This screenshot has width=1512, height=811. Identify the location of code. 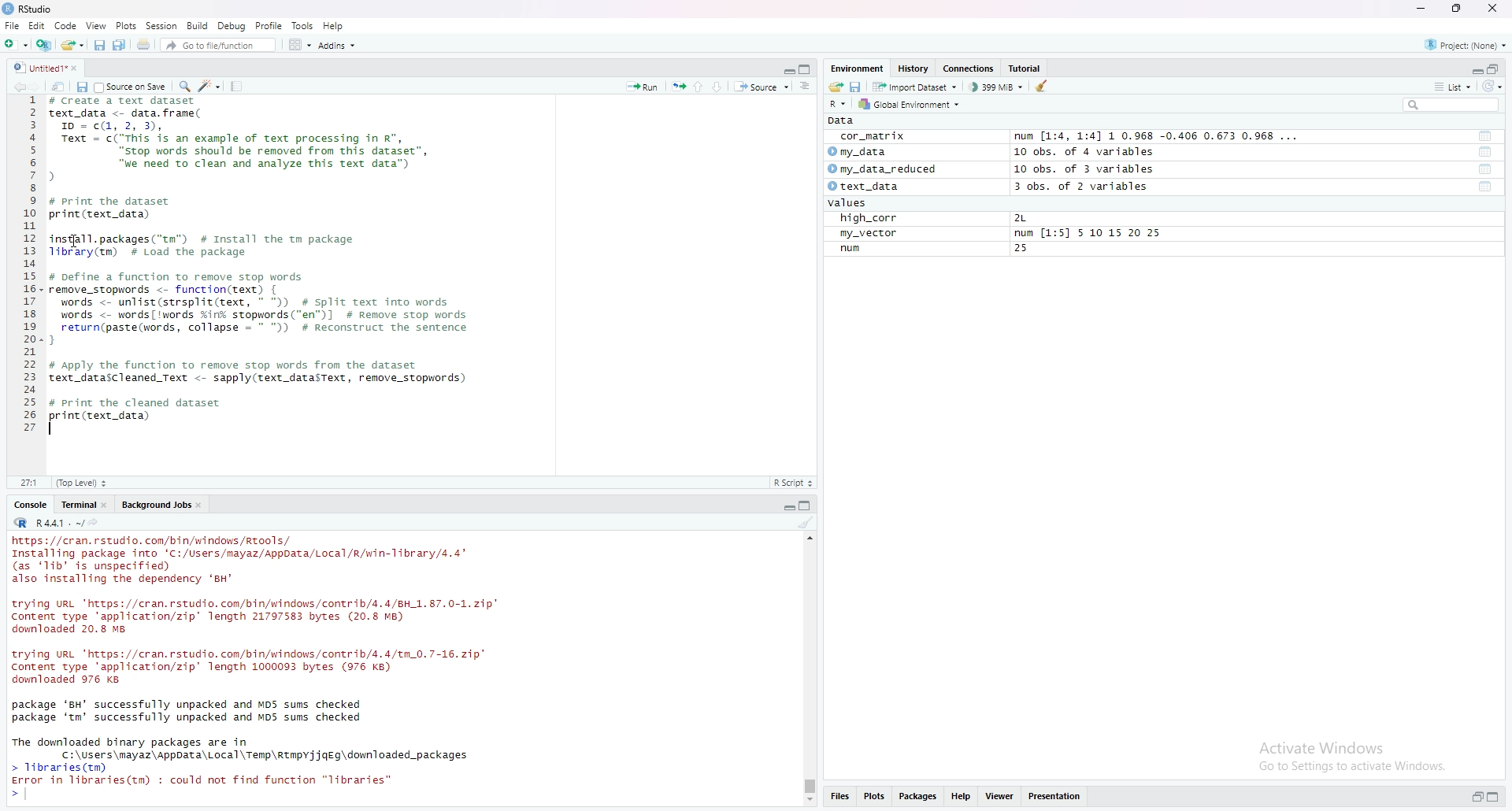
(65, 25).